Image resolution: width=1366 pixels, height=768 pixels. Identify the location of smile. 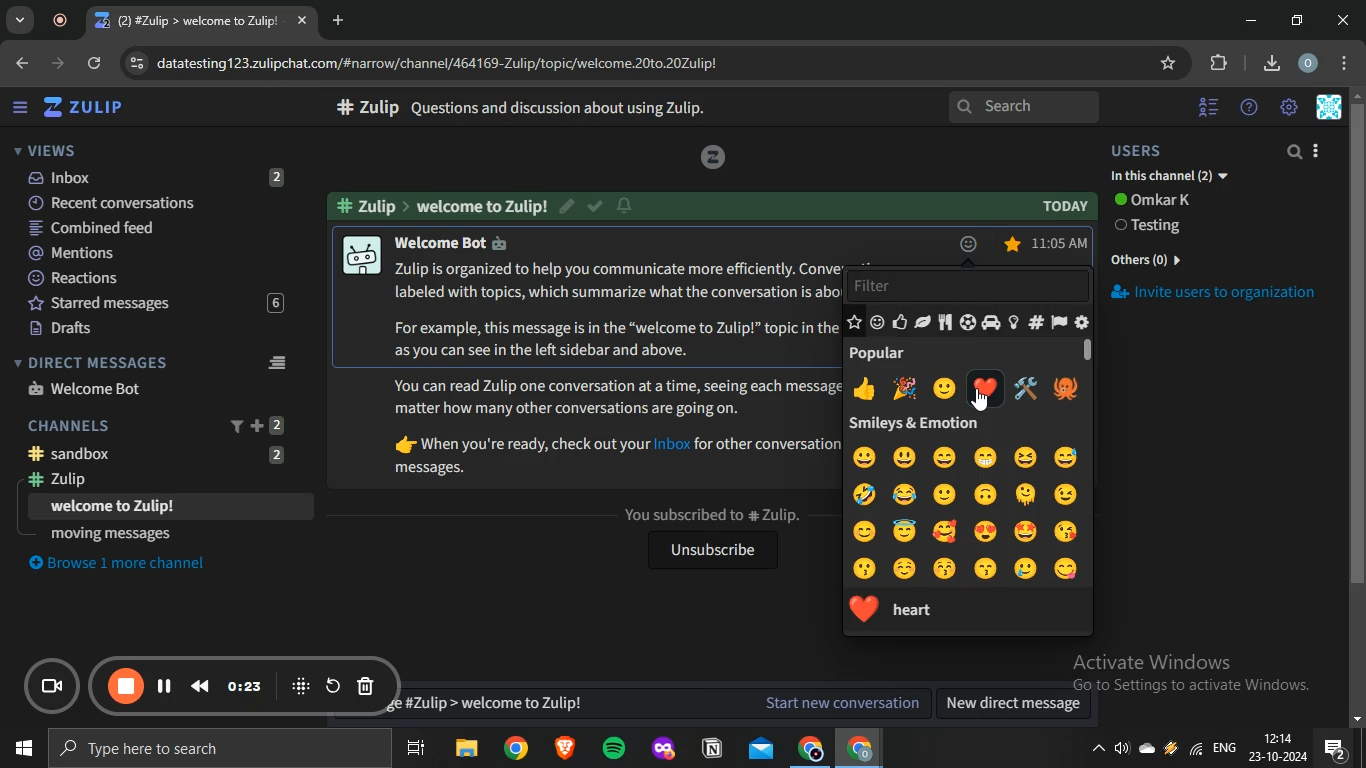
(946, 493).